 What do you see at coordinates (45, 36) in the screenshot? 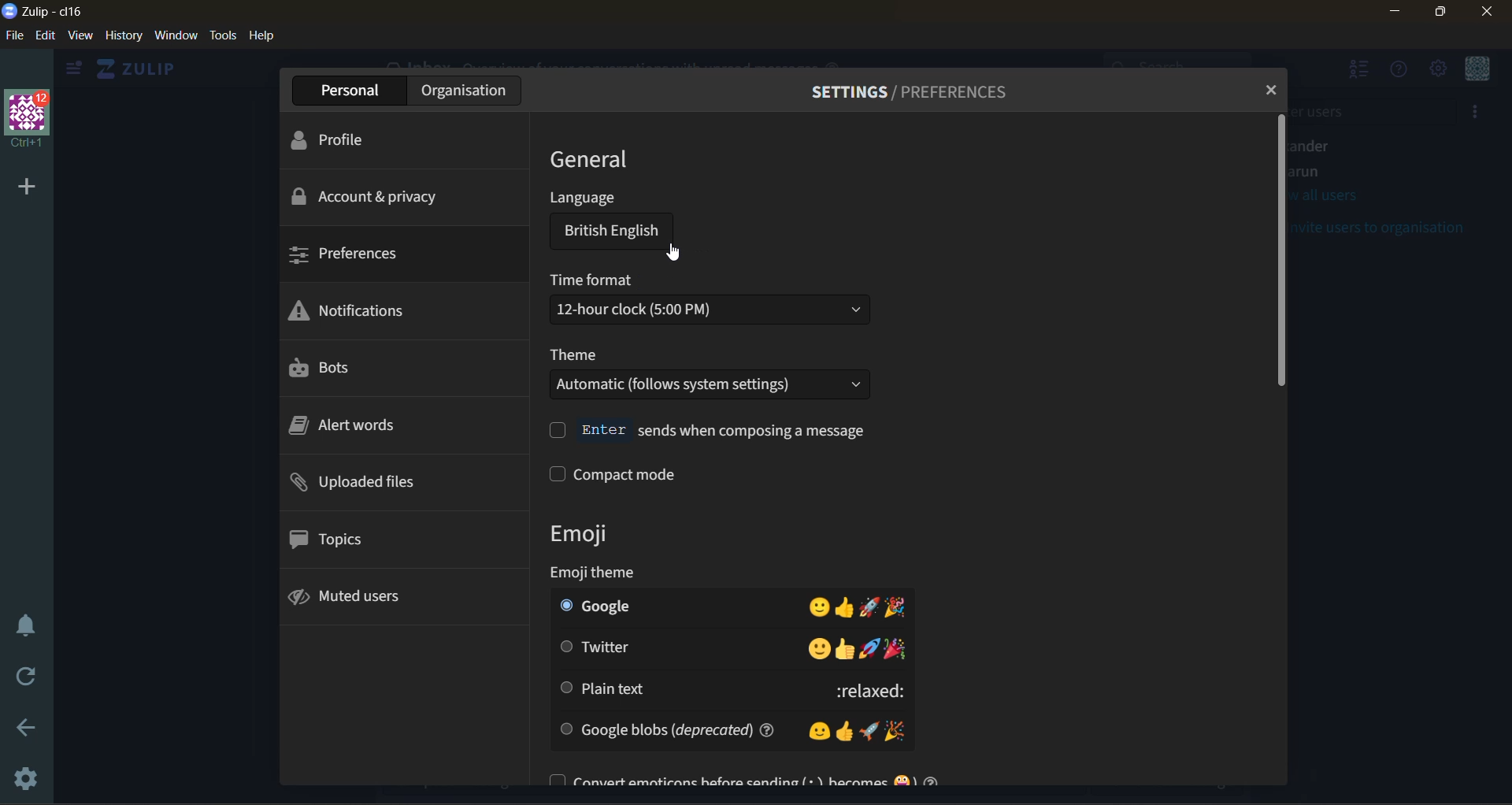
I see `edit` at bounding box center [45, 36].